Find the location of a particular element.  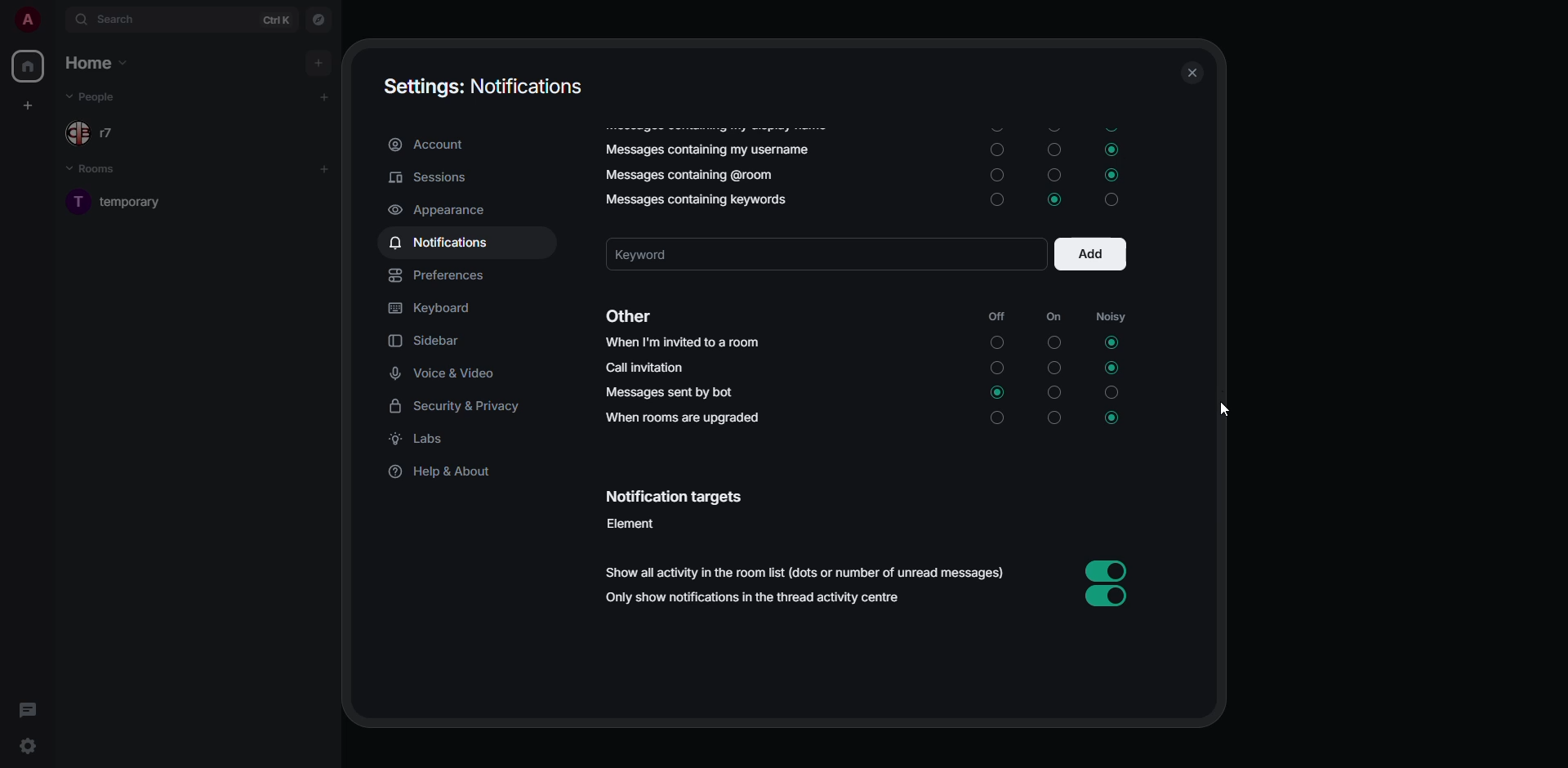

appearance is located at coordinates (439, 209).